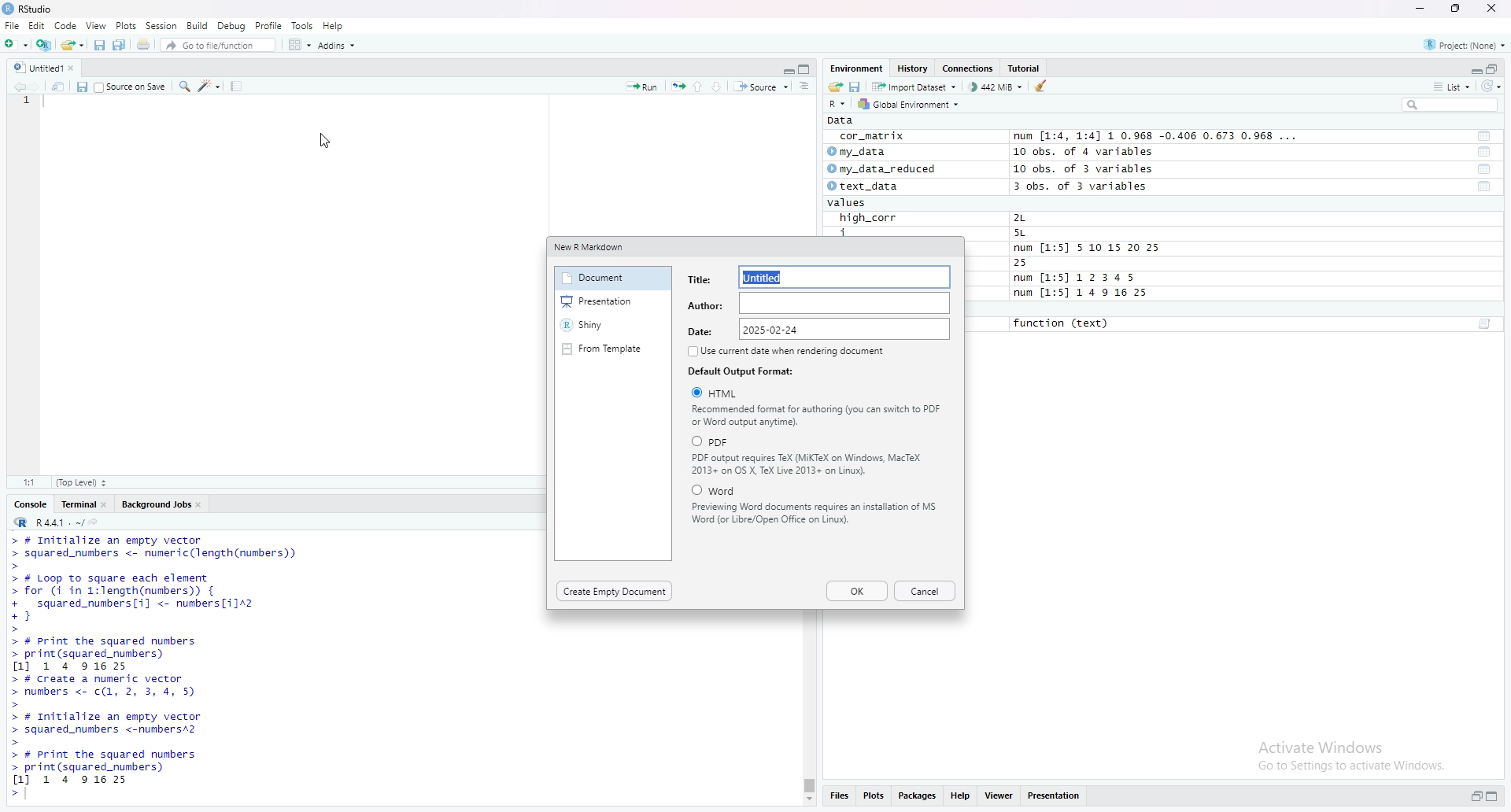  What do you see at coordinates (1044, 87) in the screenshot?
I see `Clear objects` at bounding box center [1044, 87].